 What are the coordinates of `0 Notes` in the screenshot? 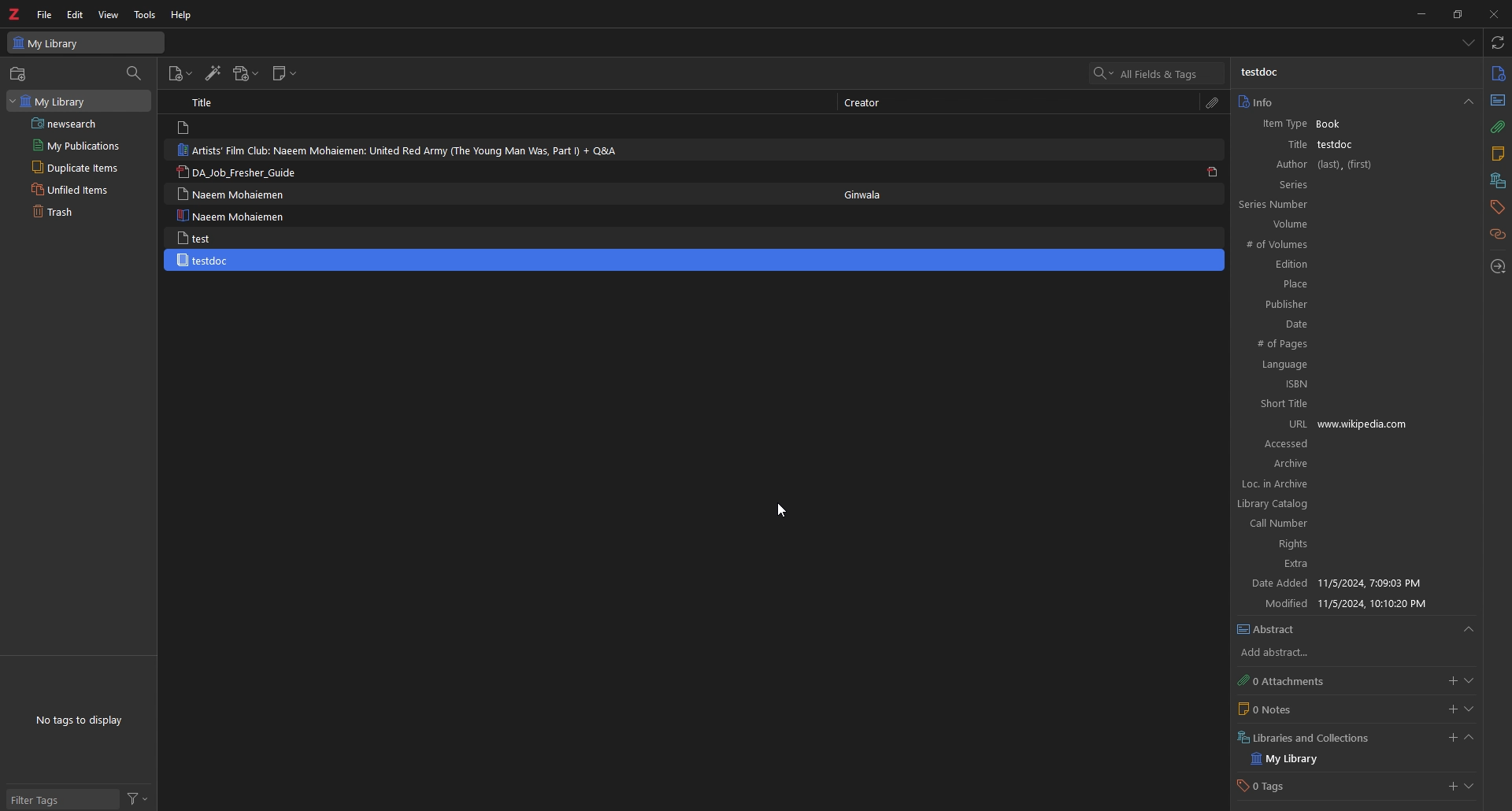 It's located at (1279, 709).